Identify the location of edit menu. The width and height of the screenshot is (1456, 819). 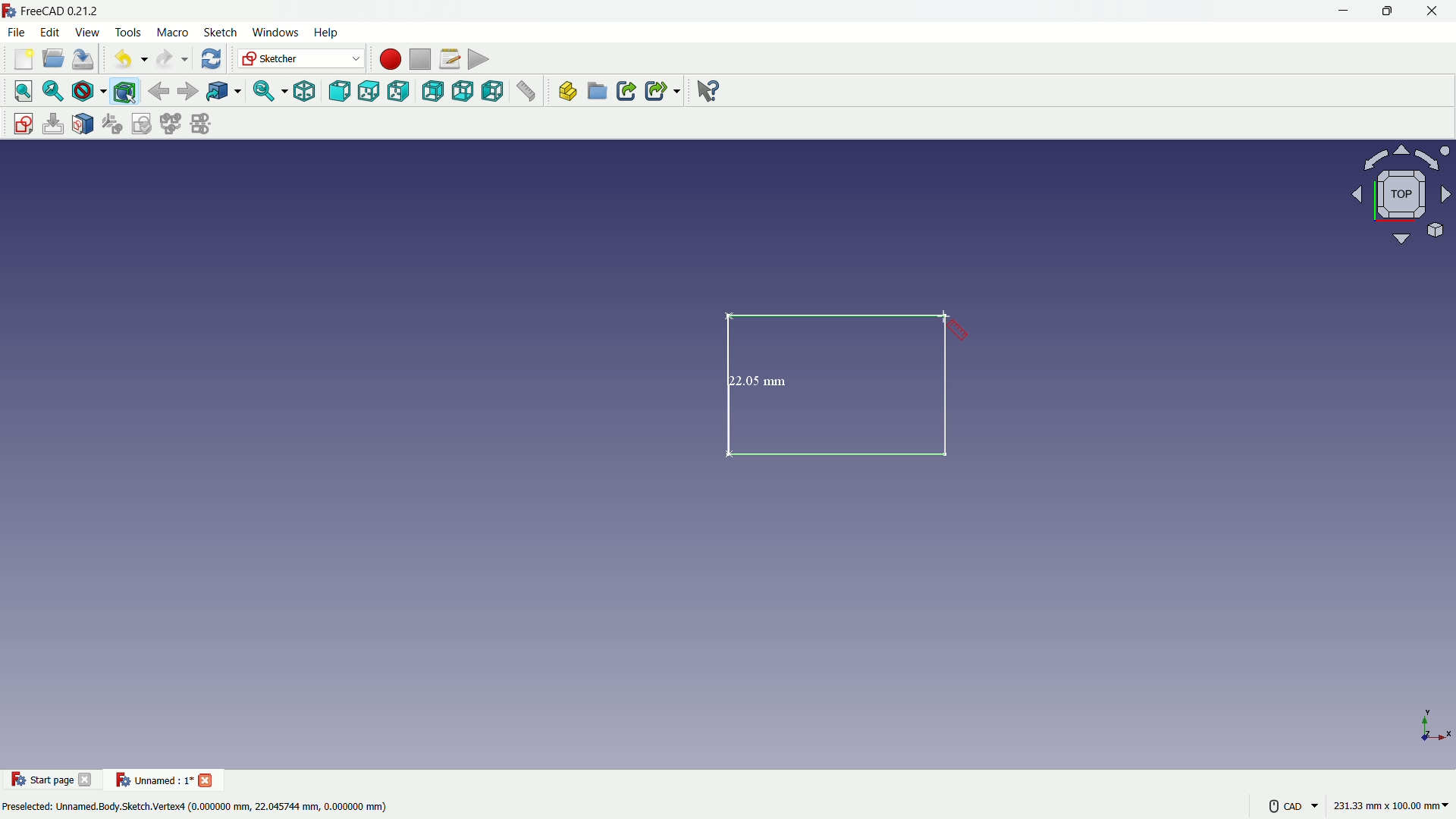
(50, 32).